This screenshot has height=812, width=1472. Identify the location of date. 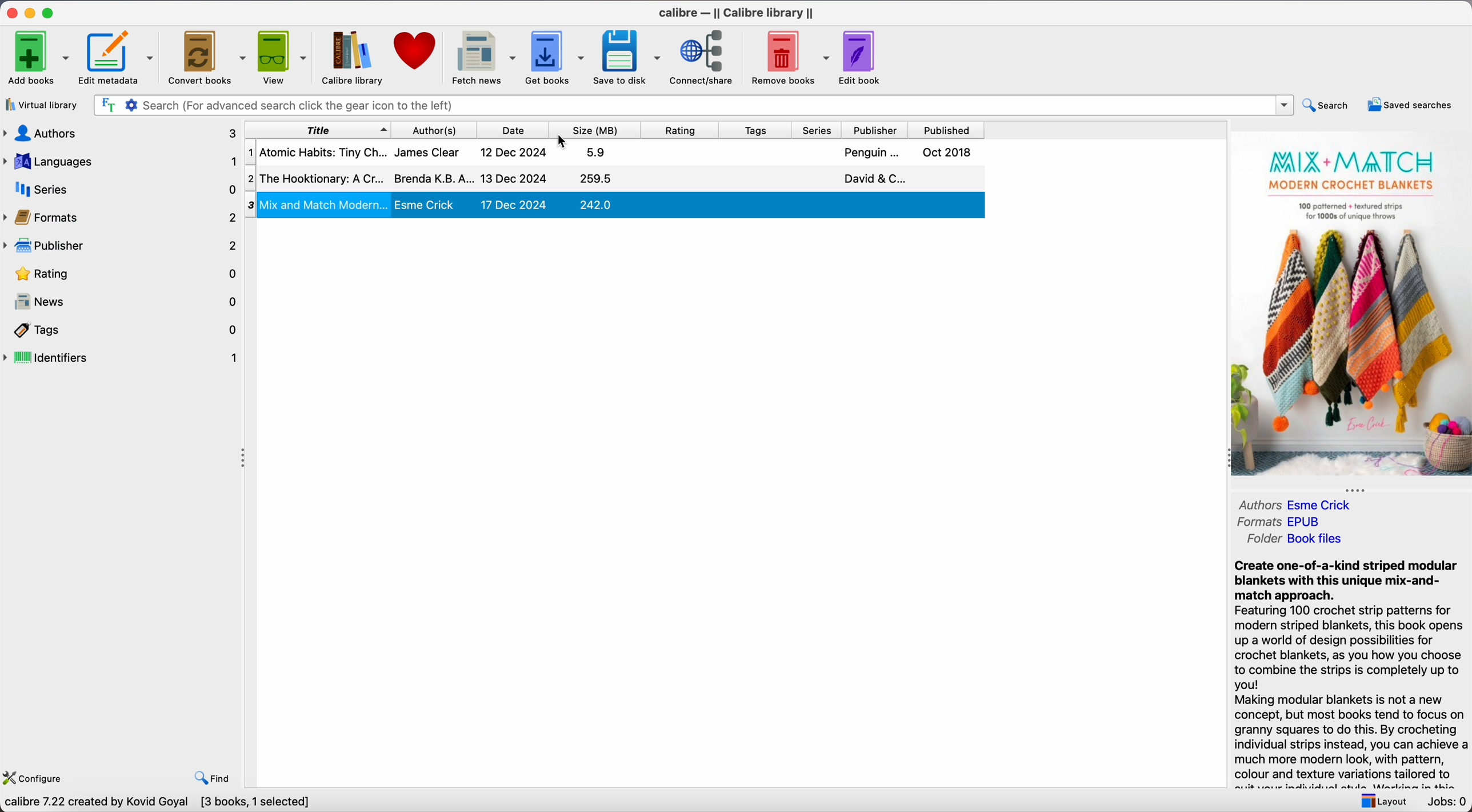
(517, 130).